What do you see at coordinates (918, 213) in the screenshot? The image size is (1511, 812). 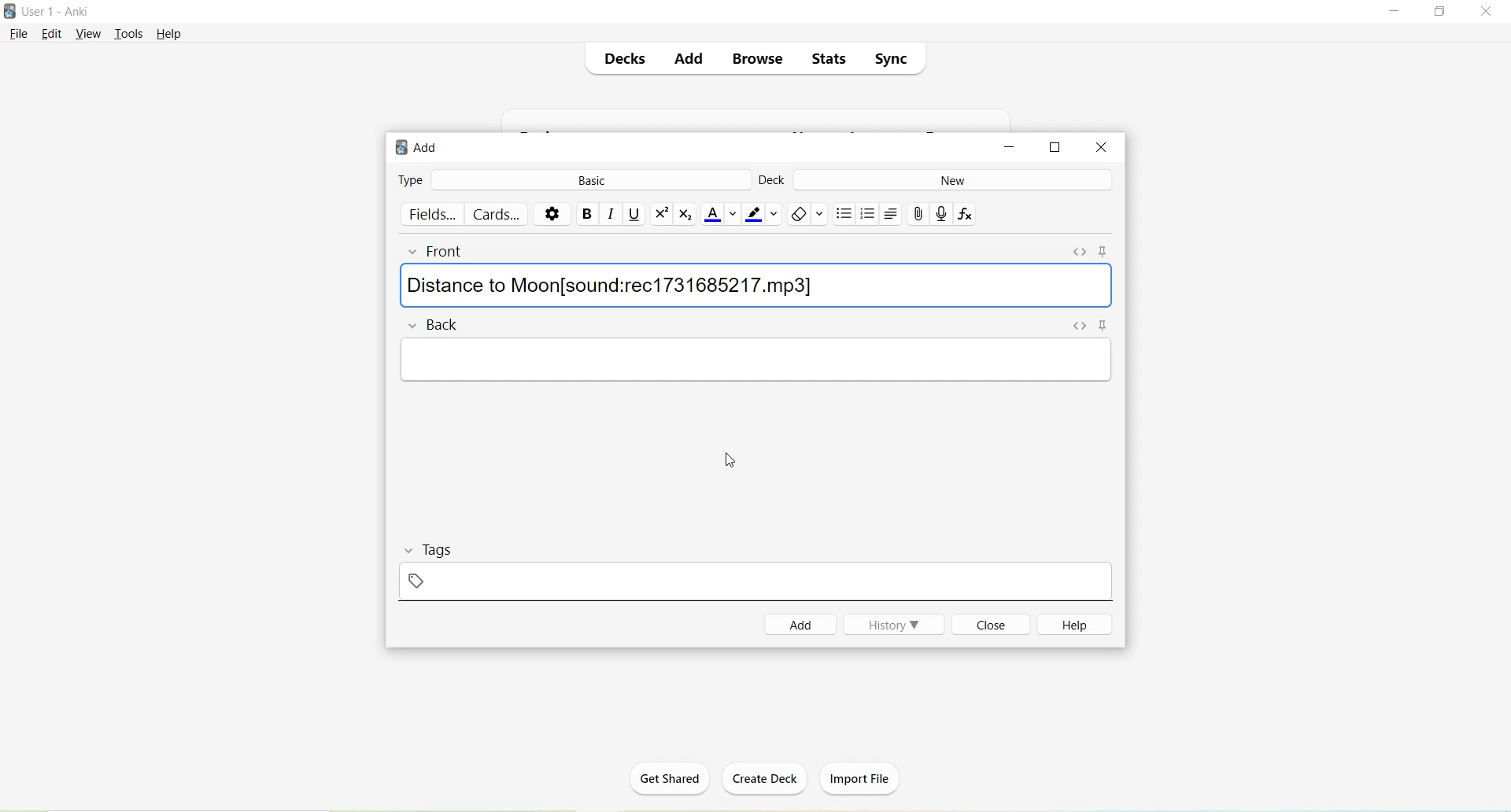 I see `Attach pictures/audio/video` at bounding box center [918, 213].